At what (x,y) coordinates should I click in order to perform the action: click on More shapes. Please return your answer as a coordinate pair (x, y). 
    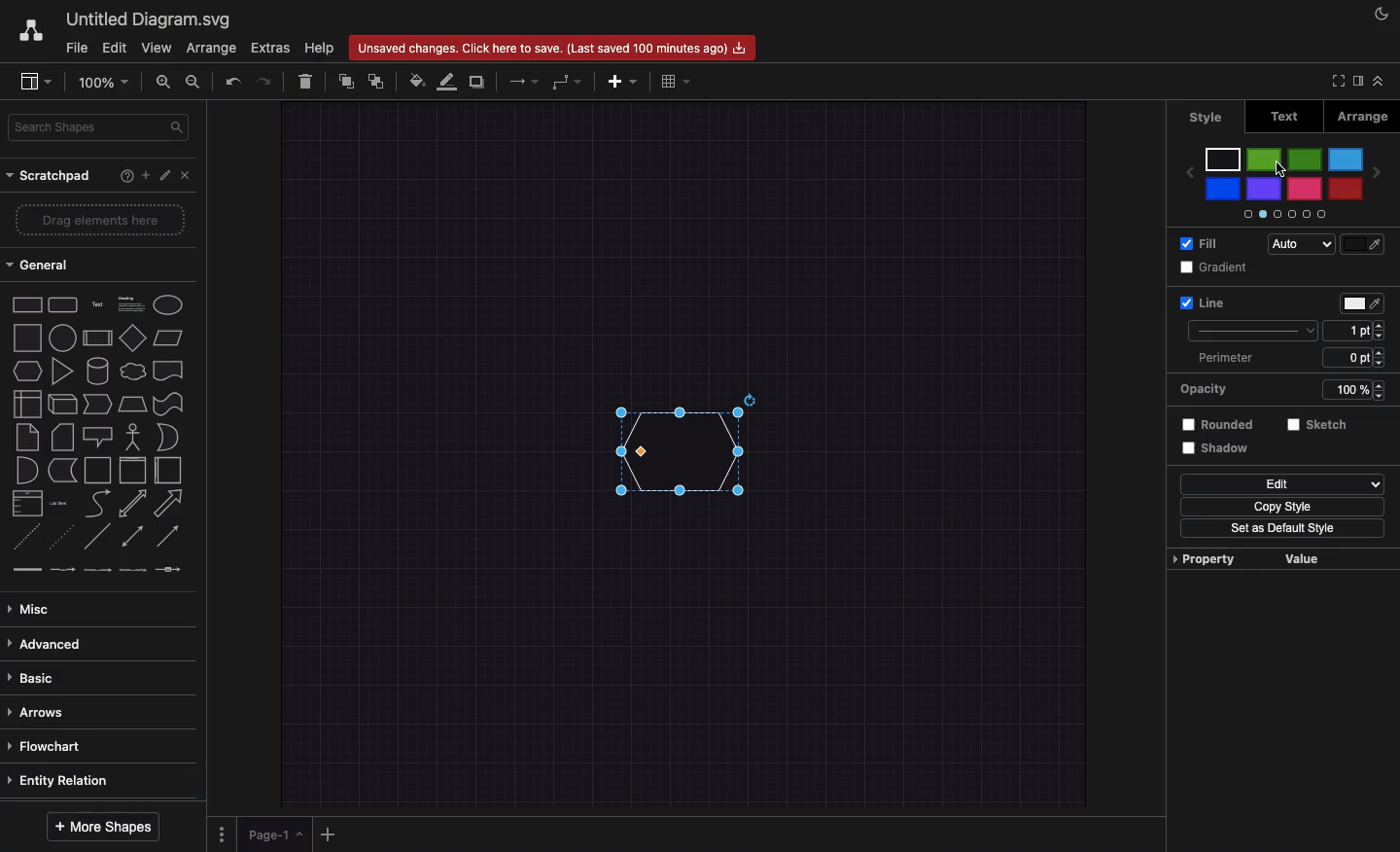
    Looking at the image, I should click on (103, 826).